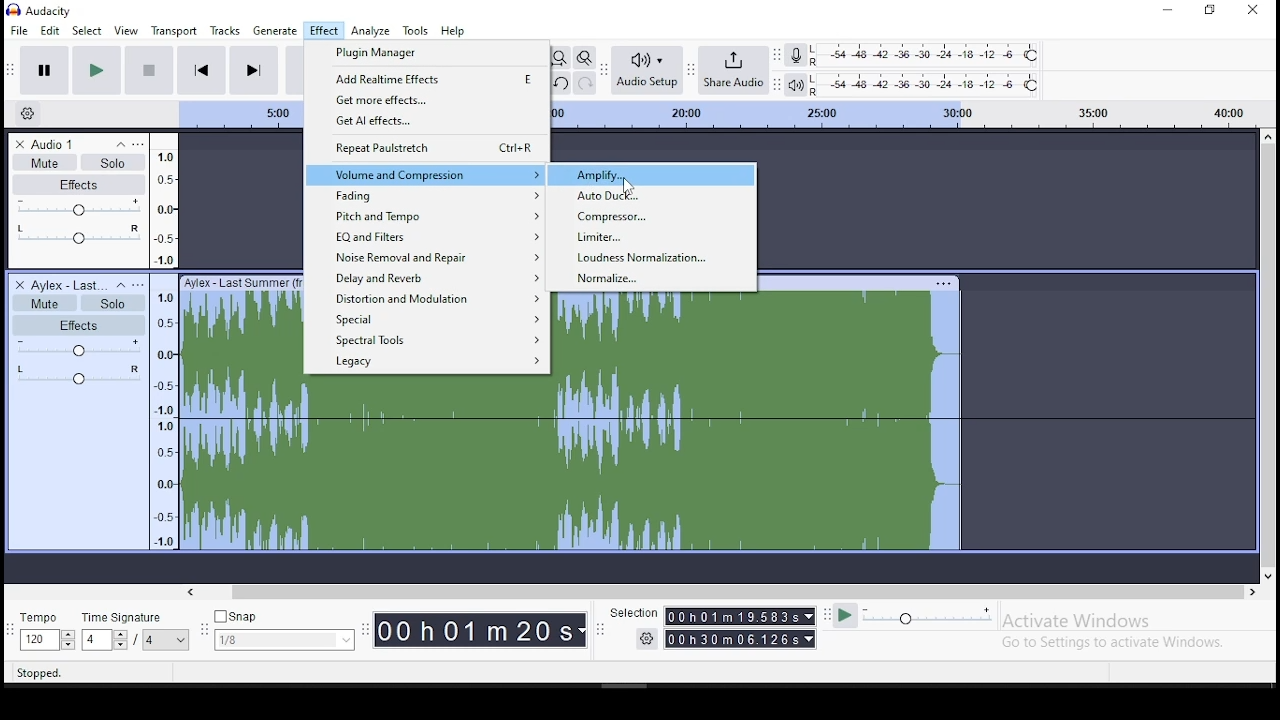 The image size is (1280, 720). What do you see at coordinates (43, 302) in the screenshot?
I see `mute` at bounding box center [43, 302].